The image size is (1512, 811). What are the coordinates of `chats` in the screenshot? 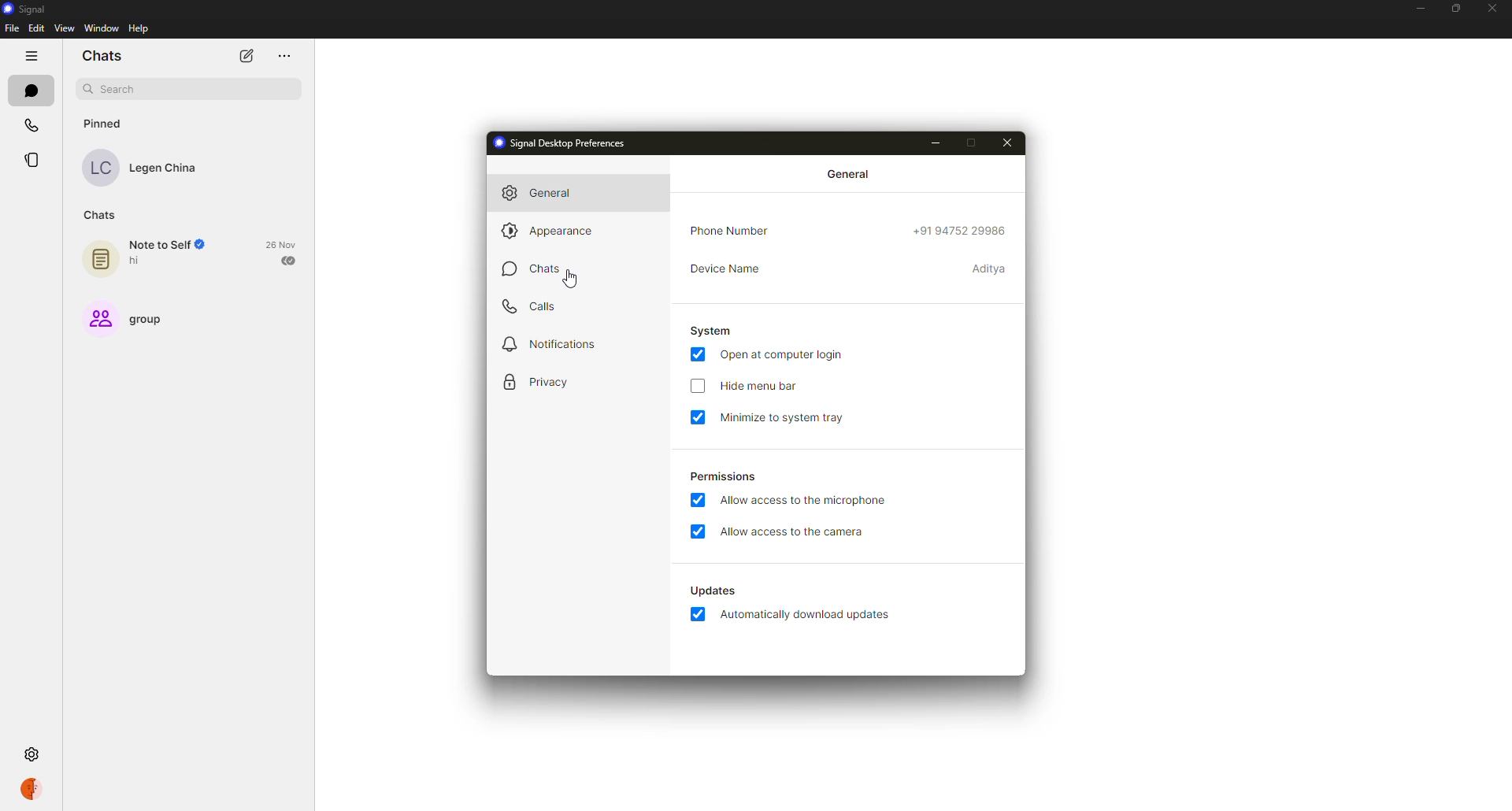 It's located at (29, 90).